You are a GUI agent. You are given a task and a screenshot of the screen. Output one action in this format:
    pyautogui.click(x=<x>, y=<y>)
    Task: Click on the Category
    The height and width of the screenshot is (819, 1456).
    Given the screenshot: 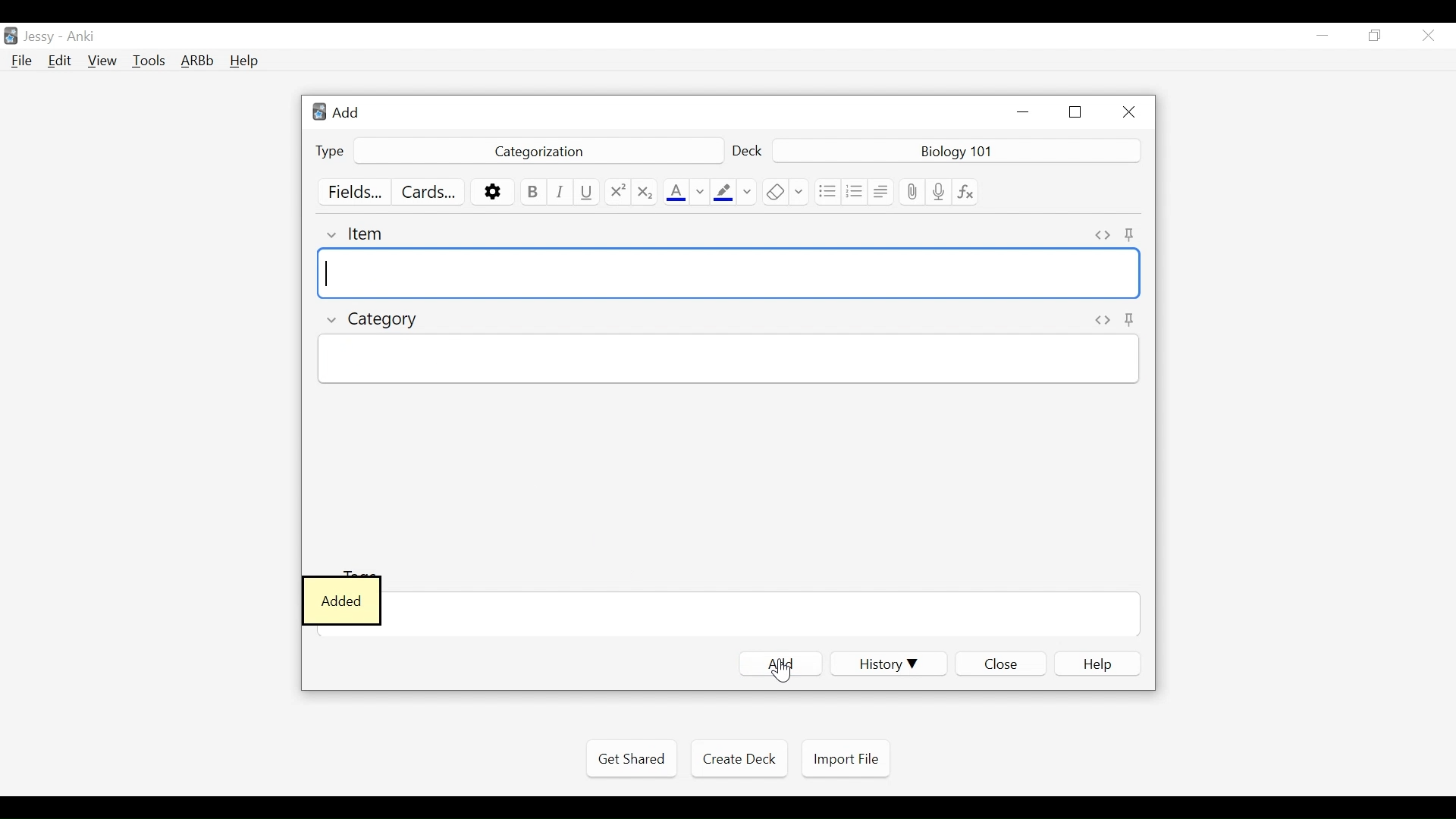 What is the action you would take?
    pyautogui.click(x=375, y=322)
    